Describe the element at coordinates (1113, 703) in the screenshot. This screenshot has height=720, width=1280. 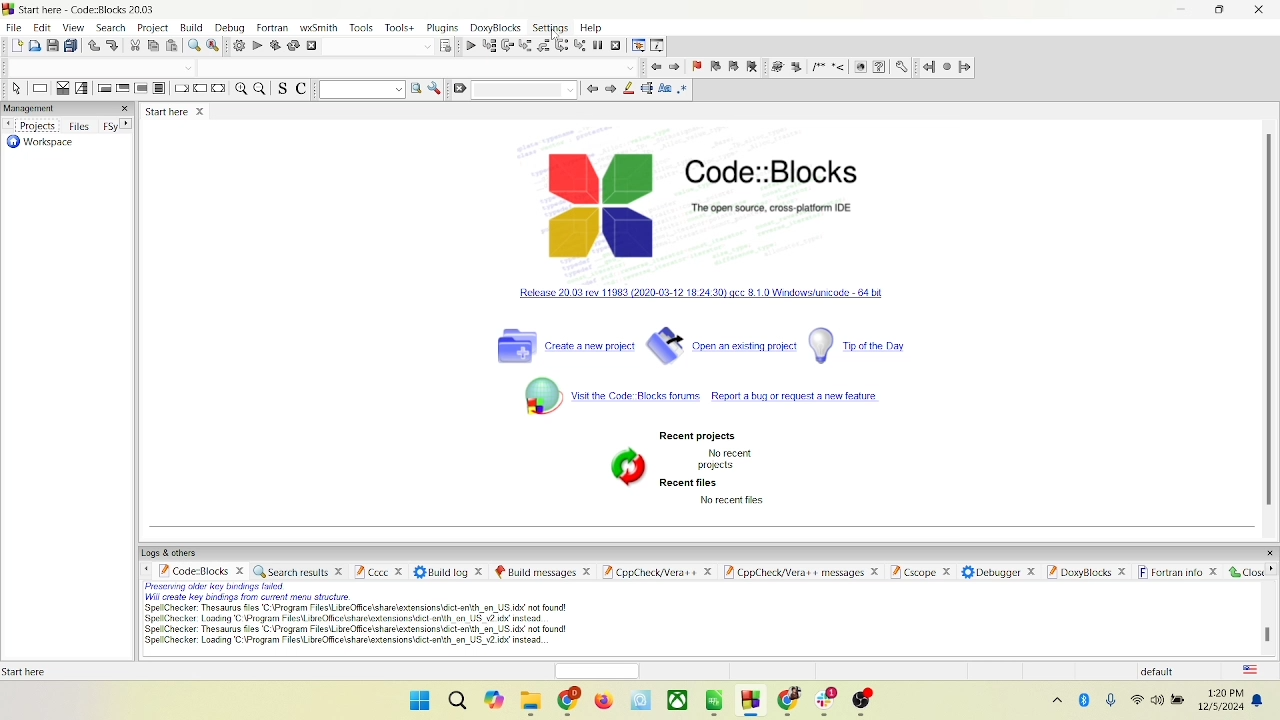
I see `microphone` at that location.